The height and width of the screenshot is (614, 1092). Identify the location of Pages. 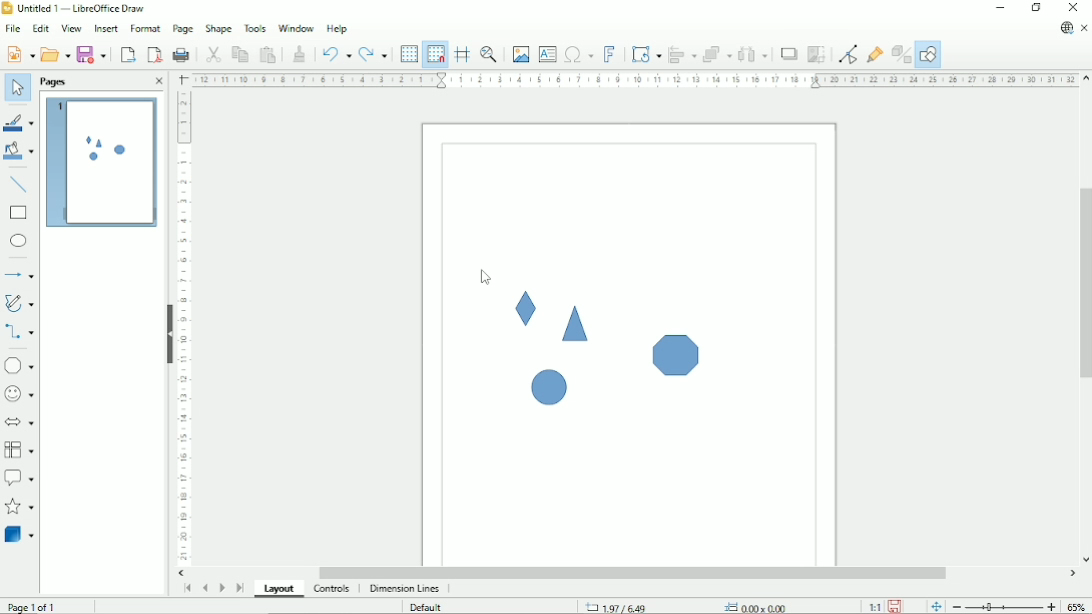
(52, 81).